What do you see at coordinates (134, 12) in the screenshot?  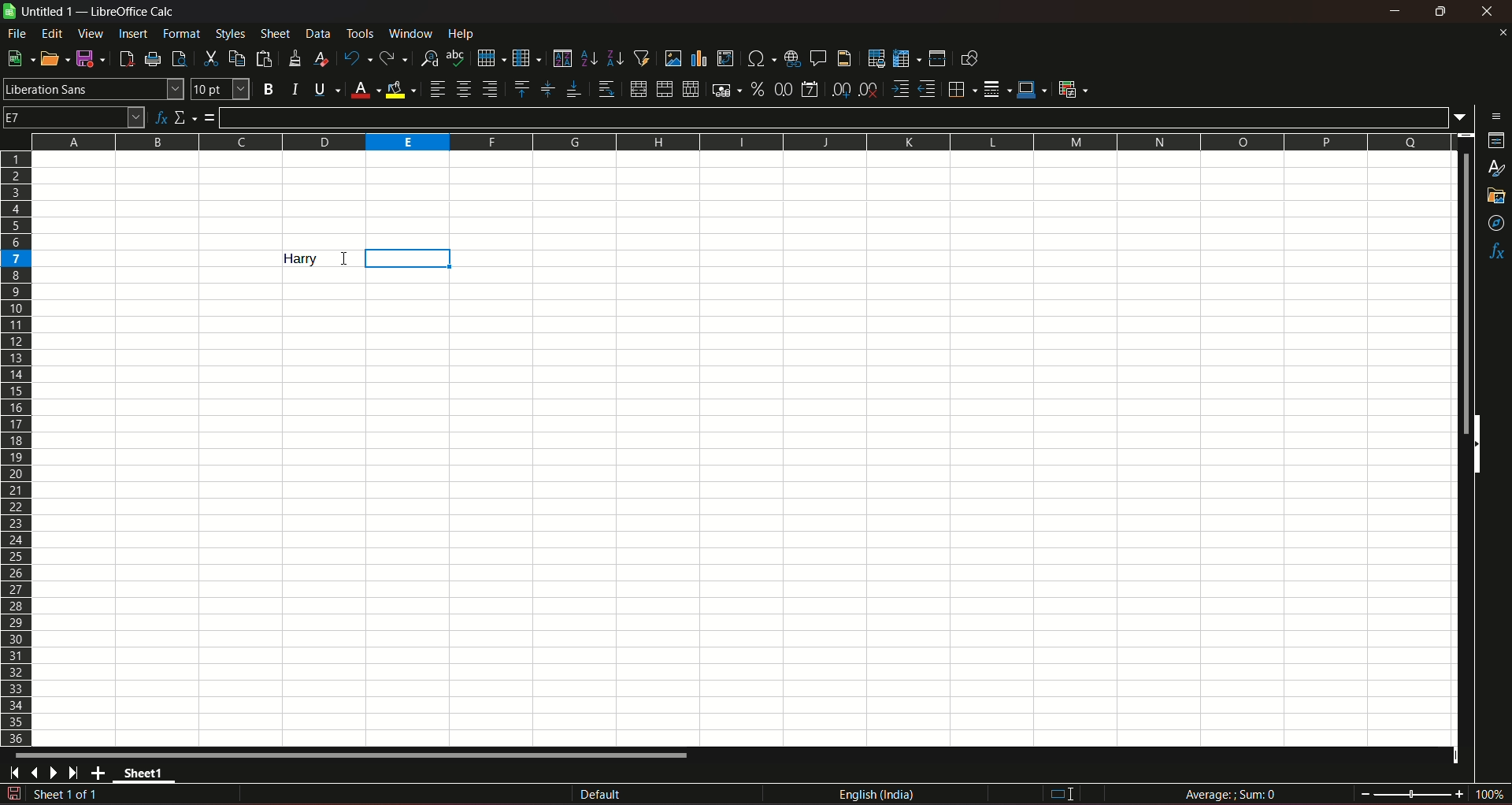 I see `title` at bounding box center [134, 12].